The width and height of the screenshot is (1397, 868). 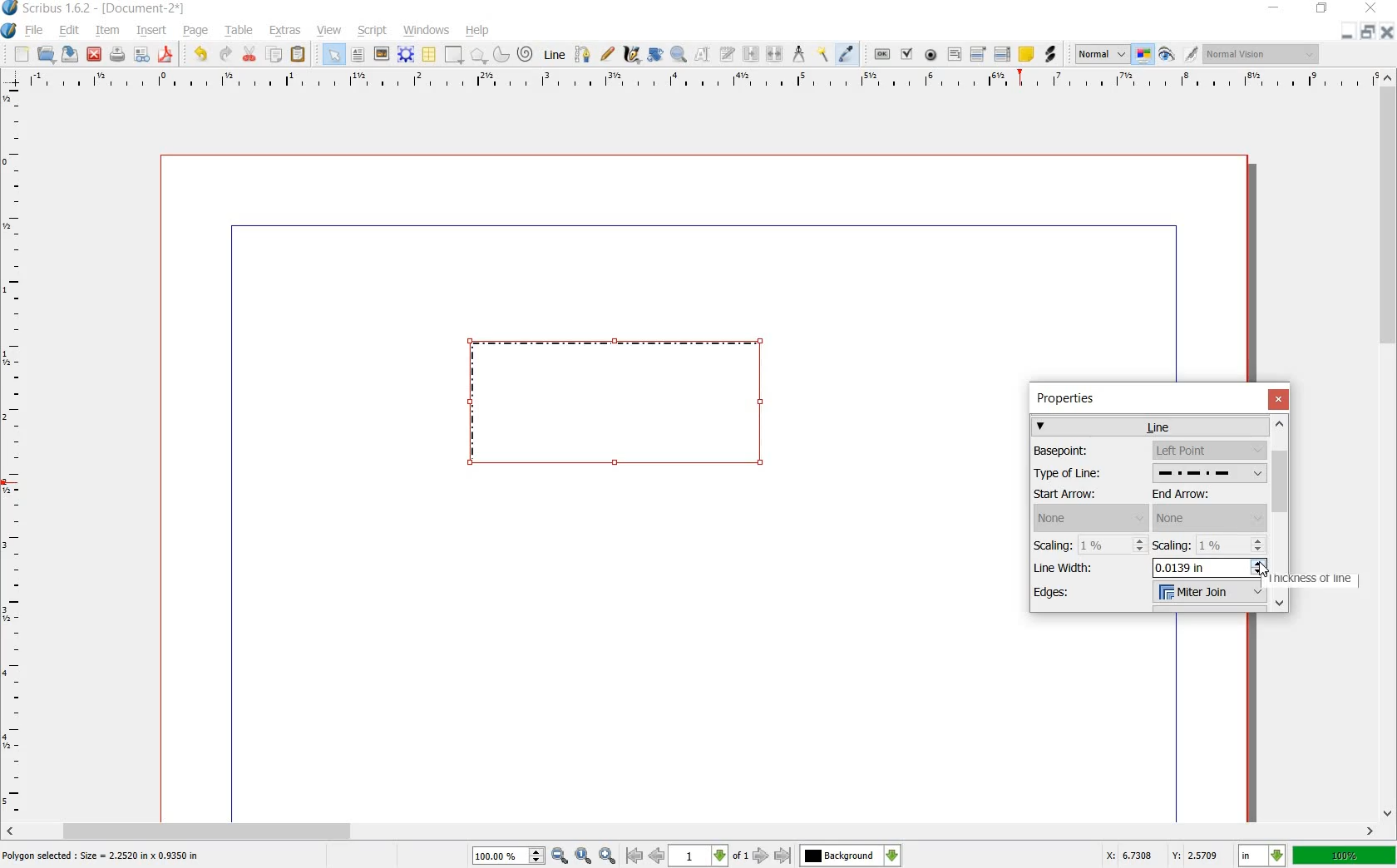 What do you see at coordinates (141, 56) in the screenshot?
I see `PRFELIGHT VERIFIER` at bounding box center [141, 56].